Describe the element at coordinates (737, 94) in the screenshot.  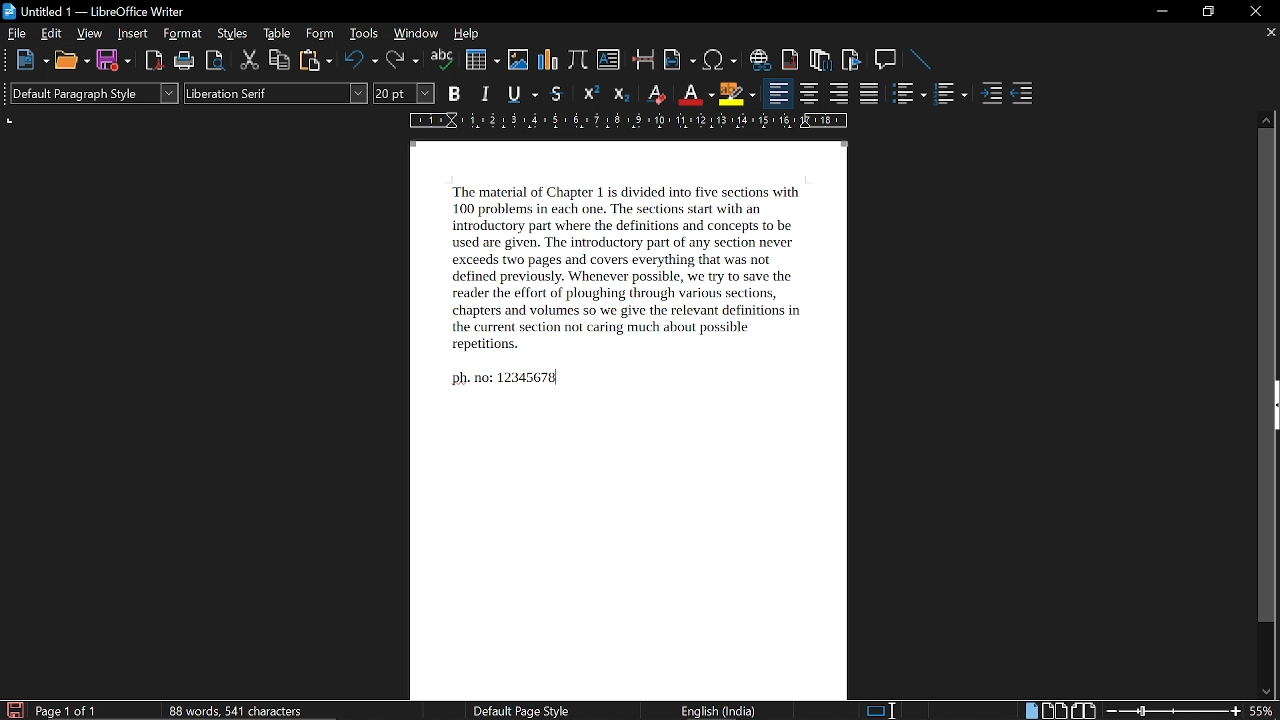
I see `highlight` at that location.